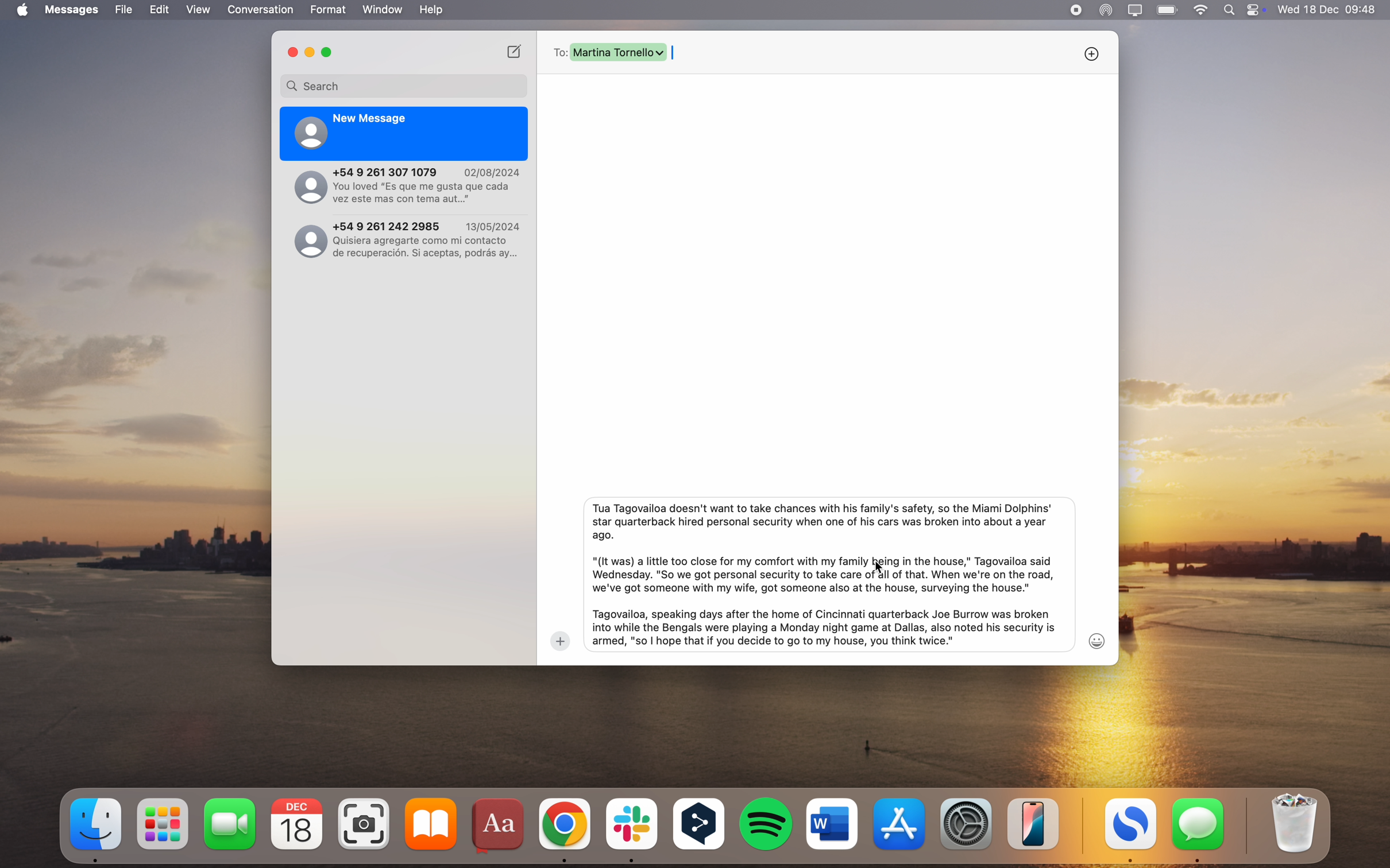 Image resolution: width=1390 pixels, height=868 pixels. What do you see at coordinates (1136, 10) in the screenshot?
I see `screen` at bounding box center [1136, 10].